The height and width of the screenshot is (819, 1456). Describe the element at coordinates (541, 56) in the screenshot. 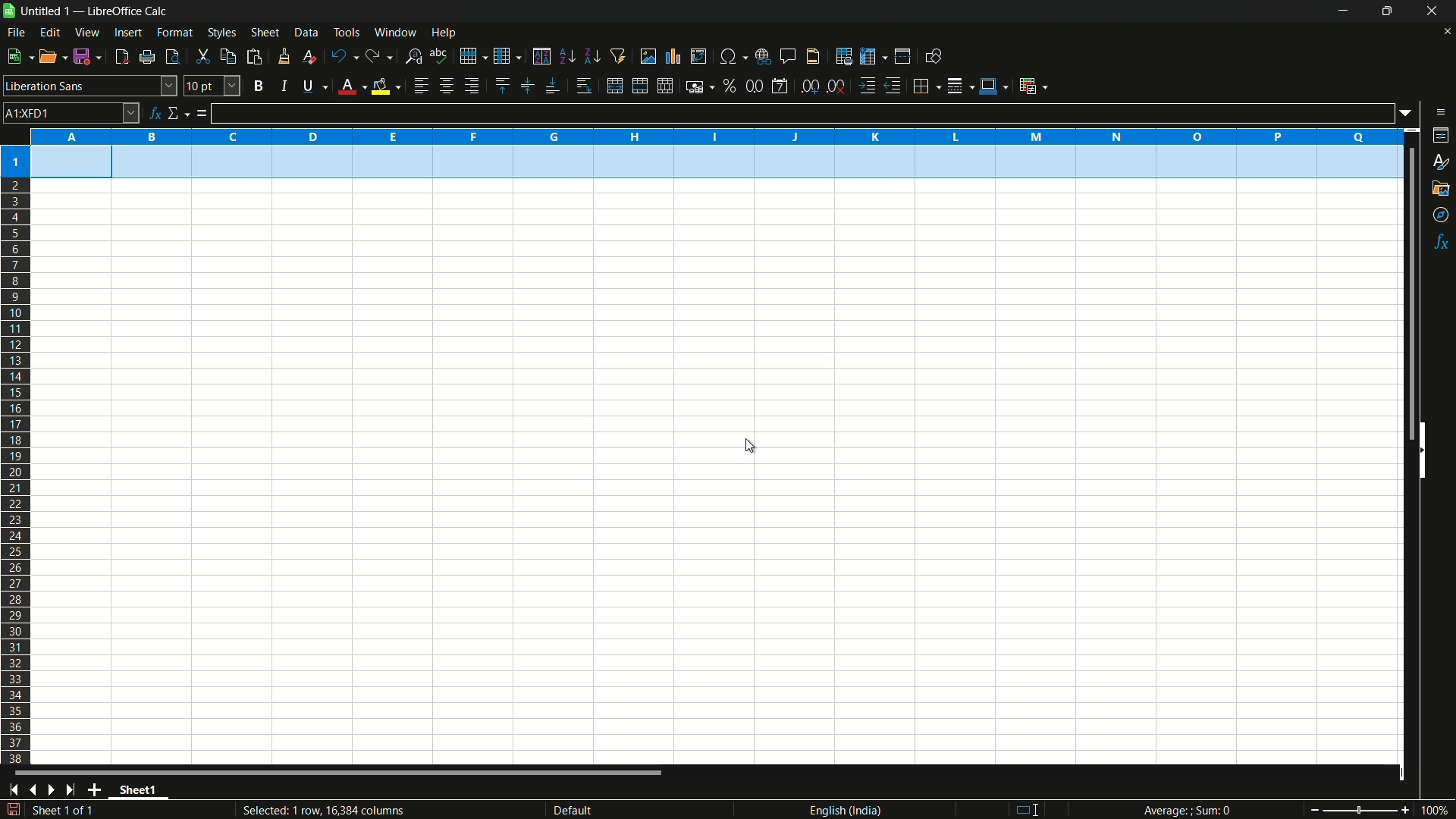

I see `sort` at that location.